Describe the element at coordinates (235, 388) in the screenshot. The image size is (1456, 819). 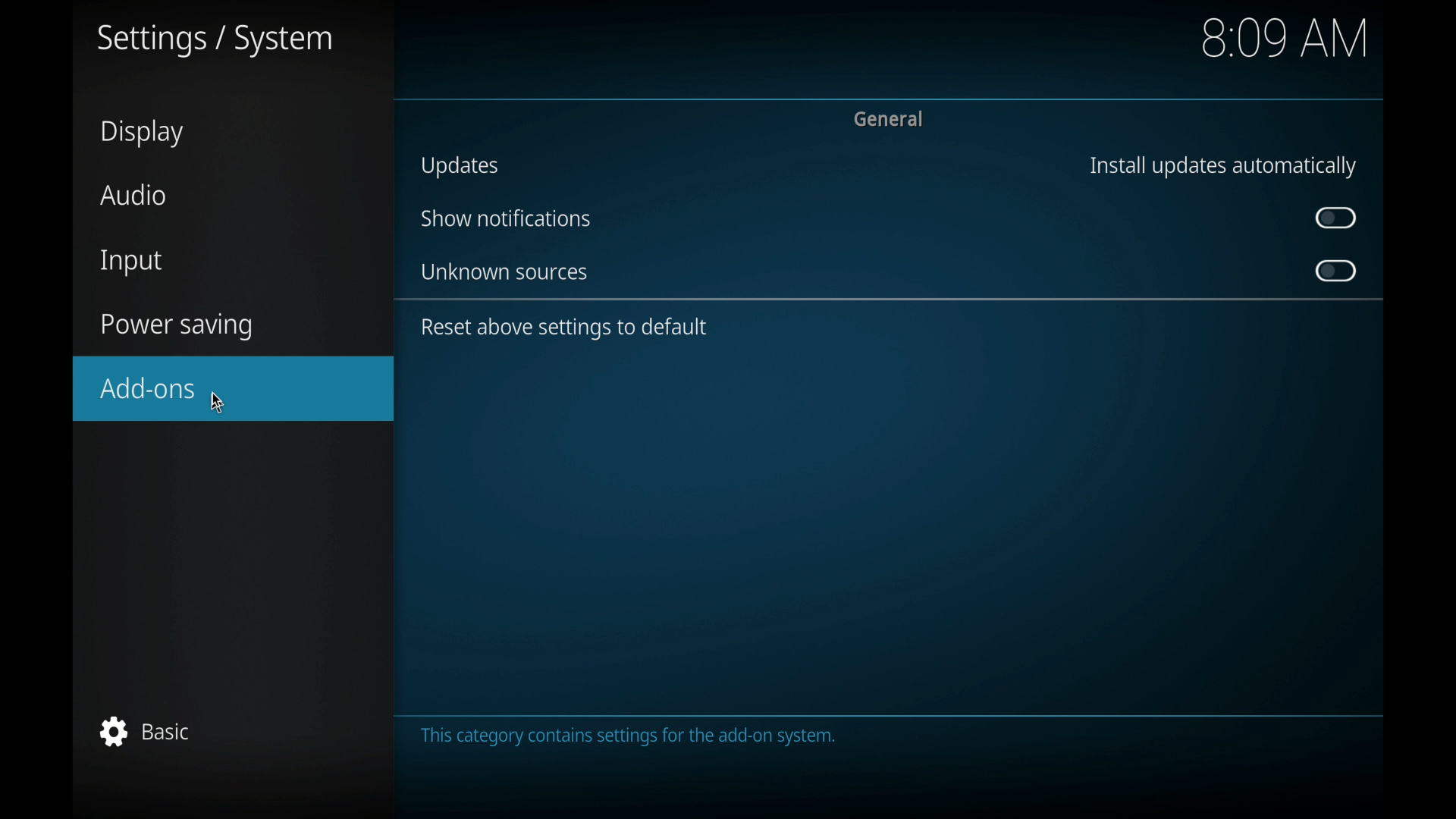
I see `add-ons` at that location.